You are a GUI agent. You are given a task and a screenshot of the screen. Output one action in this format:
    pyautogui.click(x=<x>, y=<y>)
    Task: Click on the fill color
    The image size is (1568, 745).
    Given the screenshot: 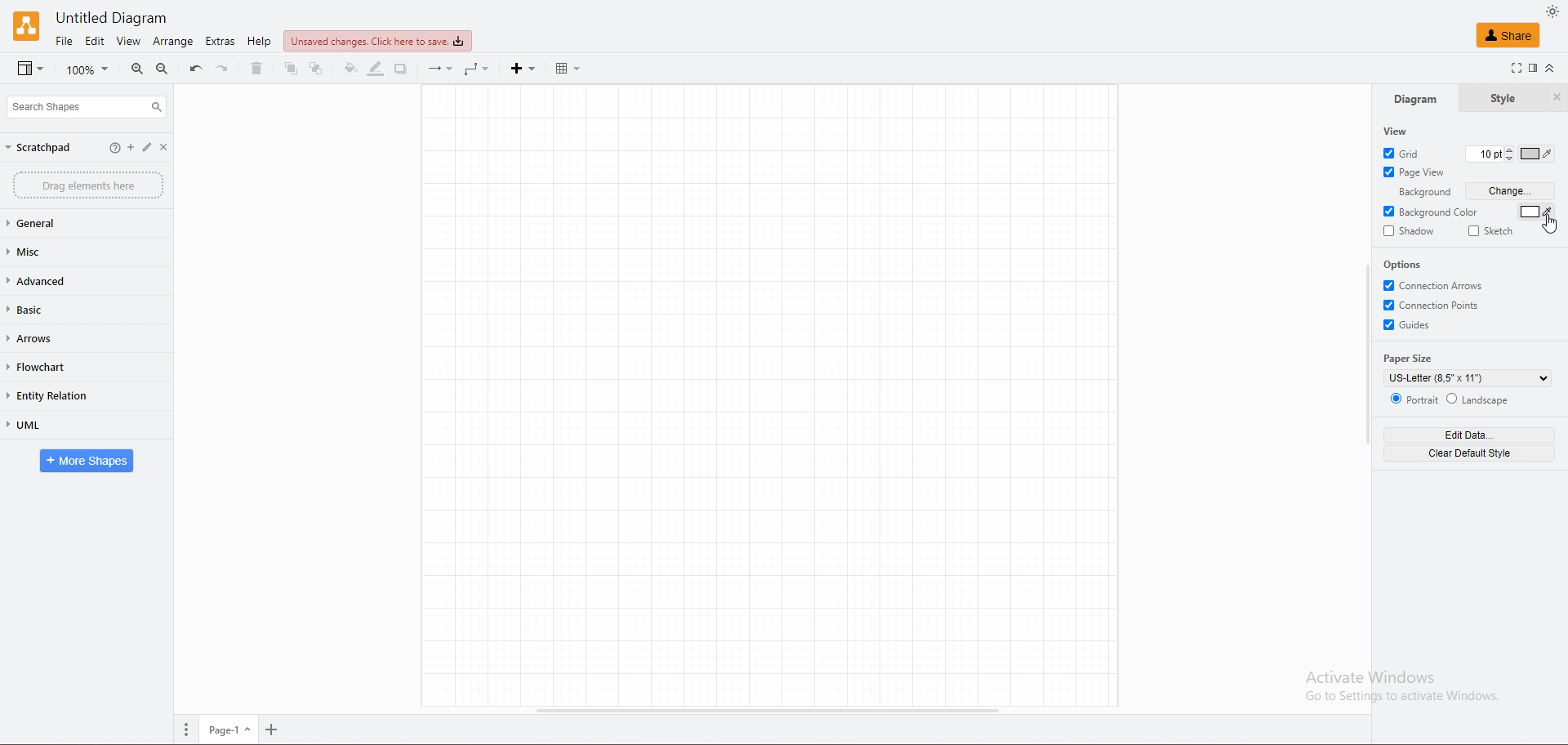 What is the action you would take?
    pyautogui.click(x=350, y=69)
    